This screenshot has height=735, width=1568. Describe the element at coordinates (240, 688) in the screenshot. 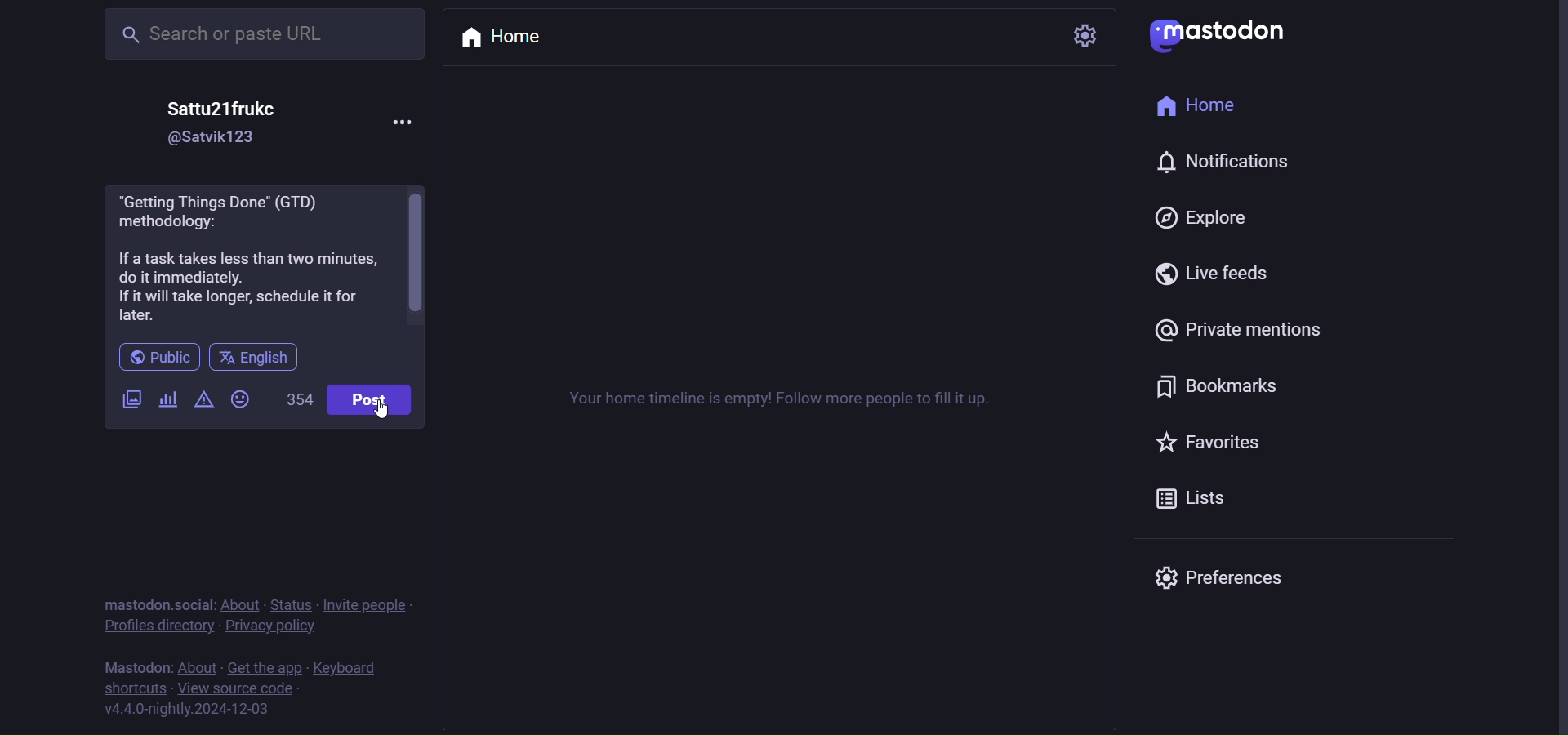

I see `source code` at that location.